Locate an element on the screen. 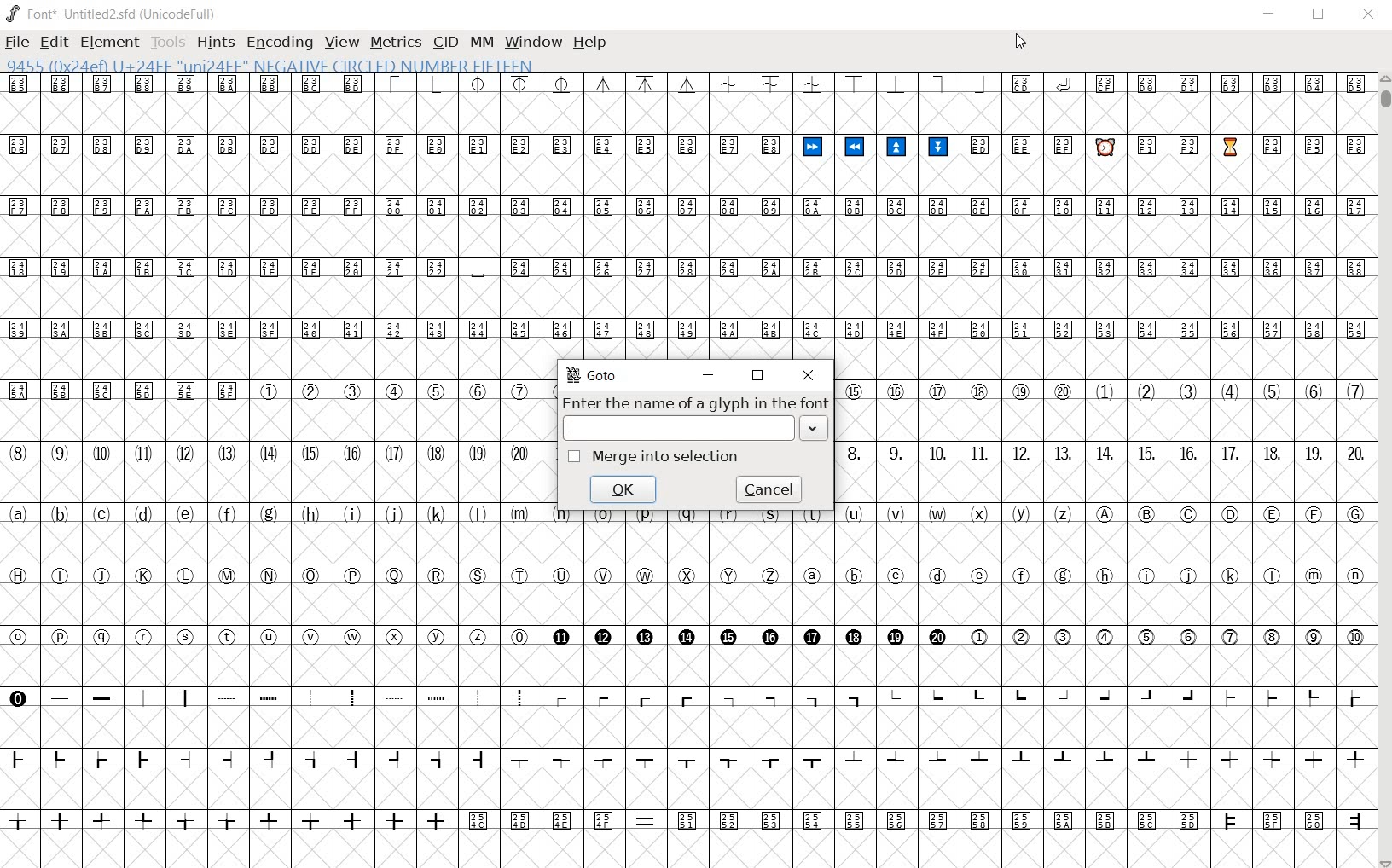 Image resolution: width=1392 pixels, height=868 pixels. HELP is located at coordinates (590, 43).